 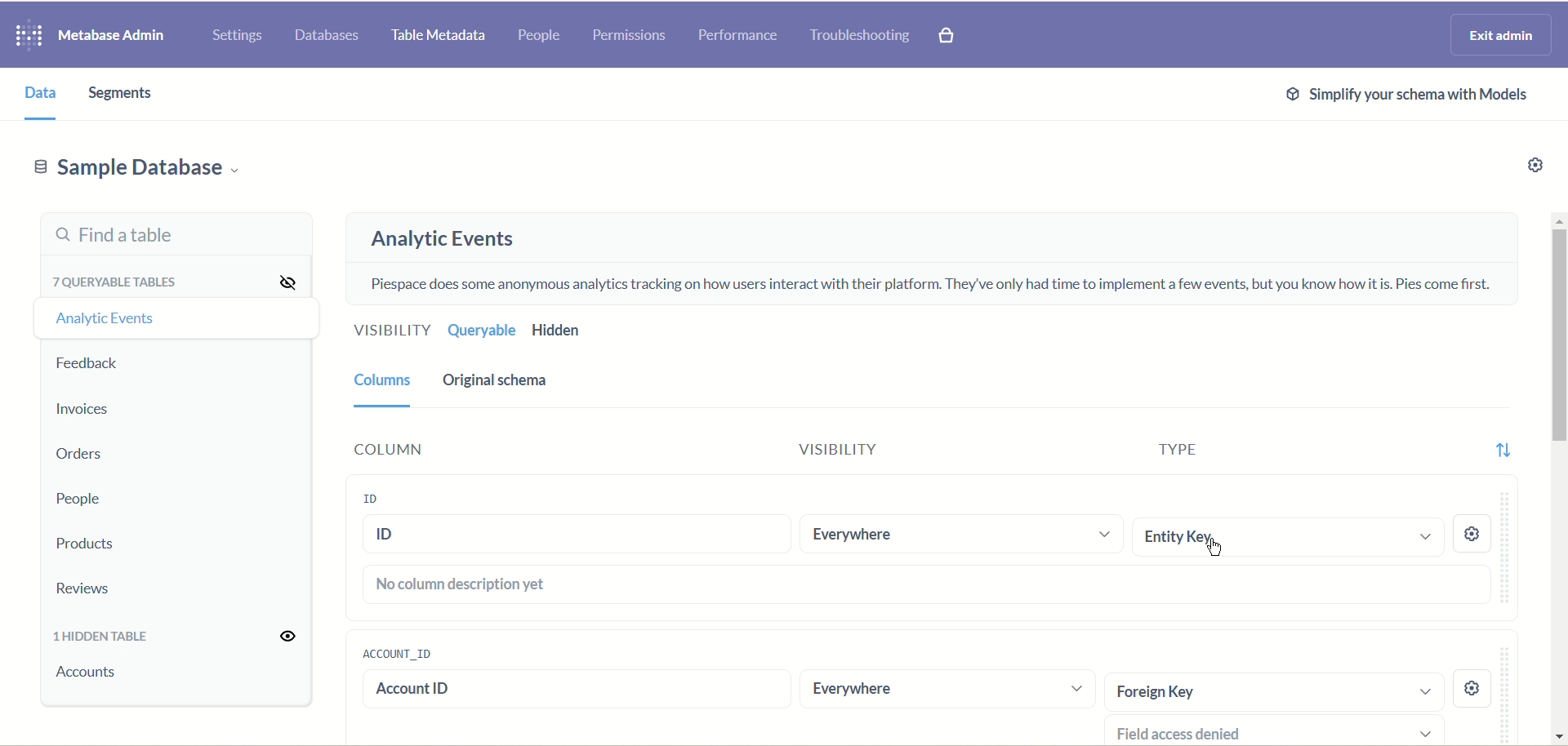 I want to click on piespace does some anonymous analytics tracking on how users interact on their platform. they have only had only a few events to implement, but you know how it is. pies comes first, so click(x=928, y=285).